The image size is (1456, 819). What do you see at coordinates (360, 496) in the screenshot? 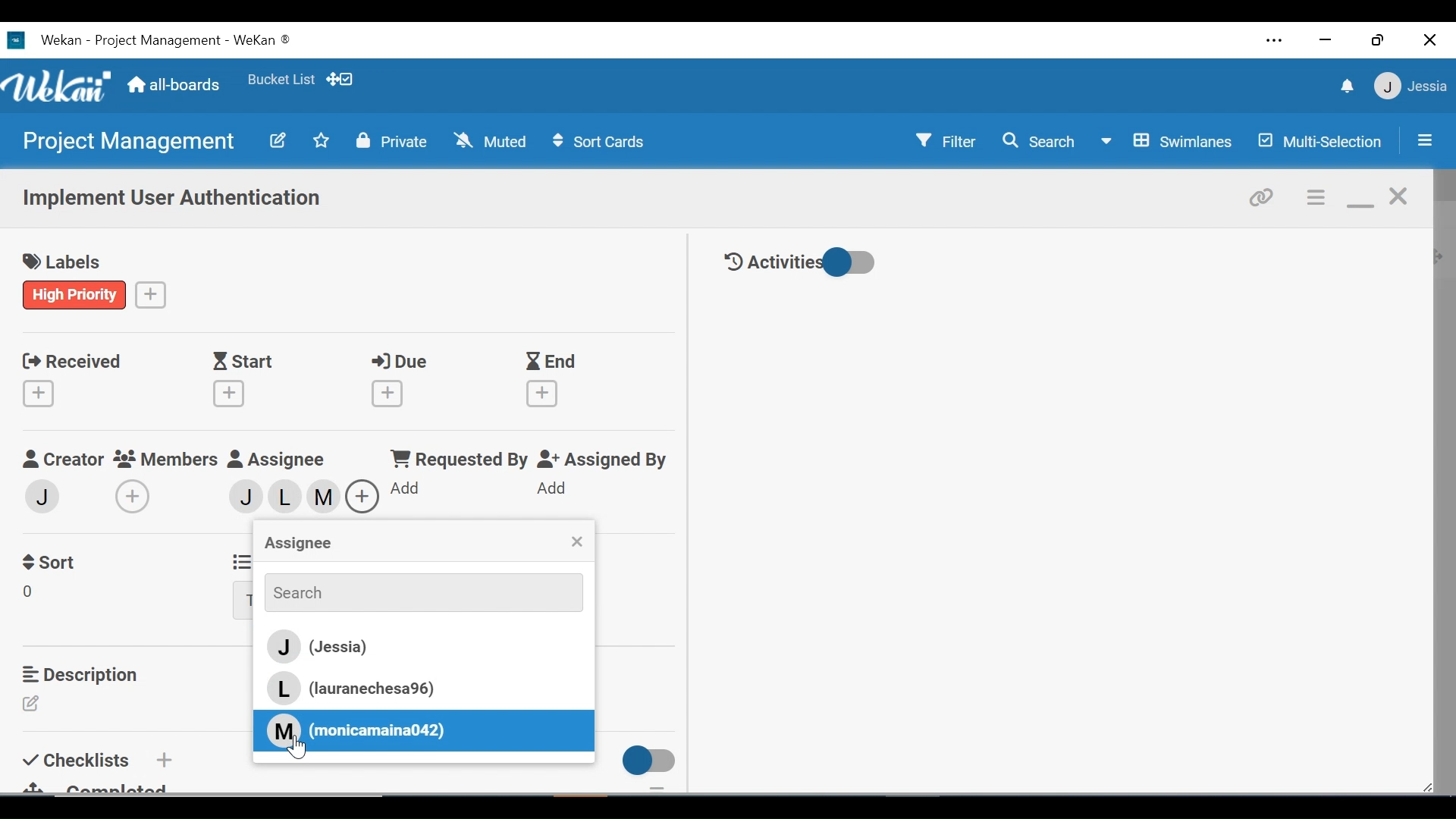
I see `Add Assignee` at bounding box center [360, 496].